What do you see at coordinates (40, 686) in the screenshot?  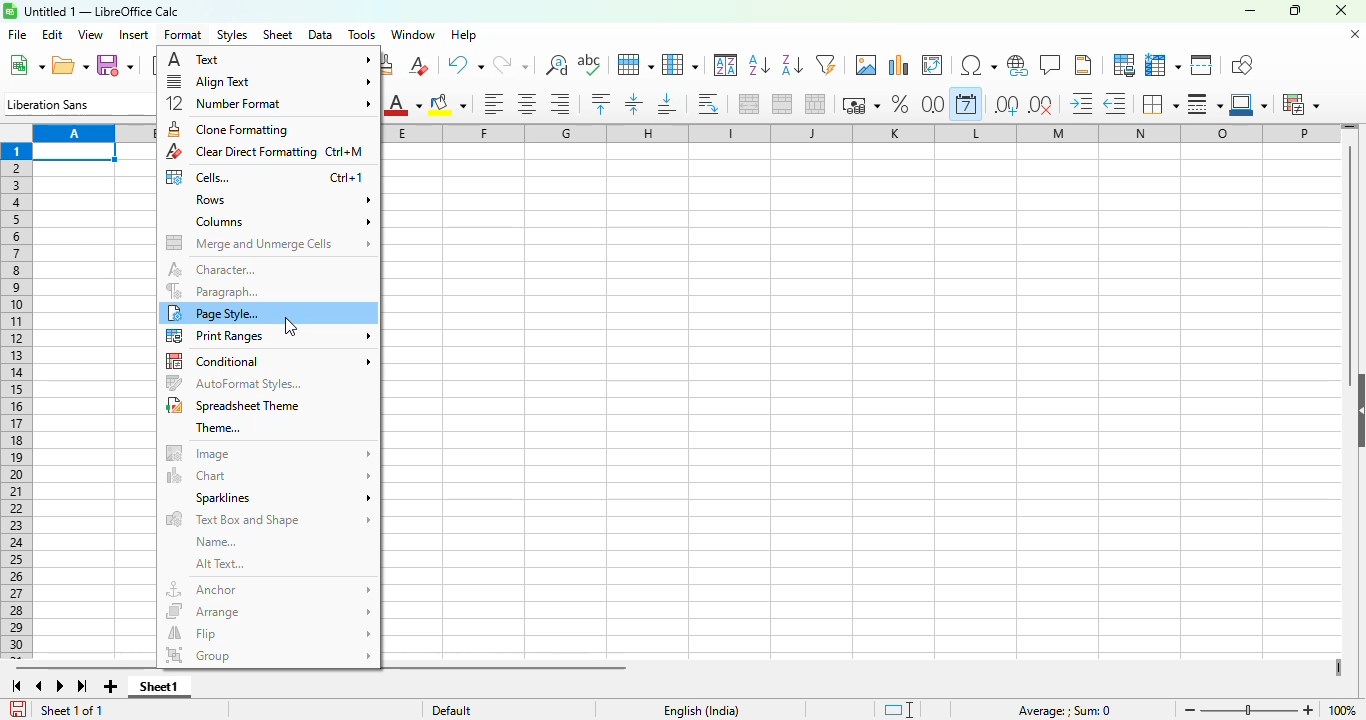 I see `scroll to previous sheet` at bounding box center [40, 686].